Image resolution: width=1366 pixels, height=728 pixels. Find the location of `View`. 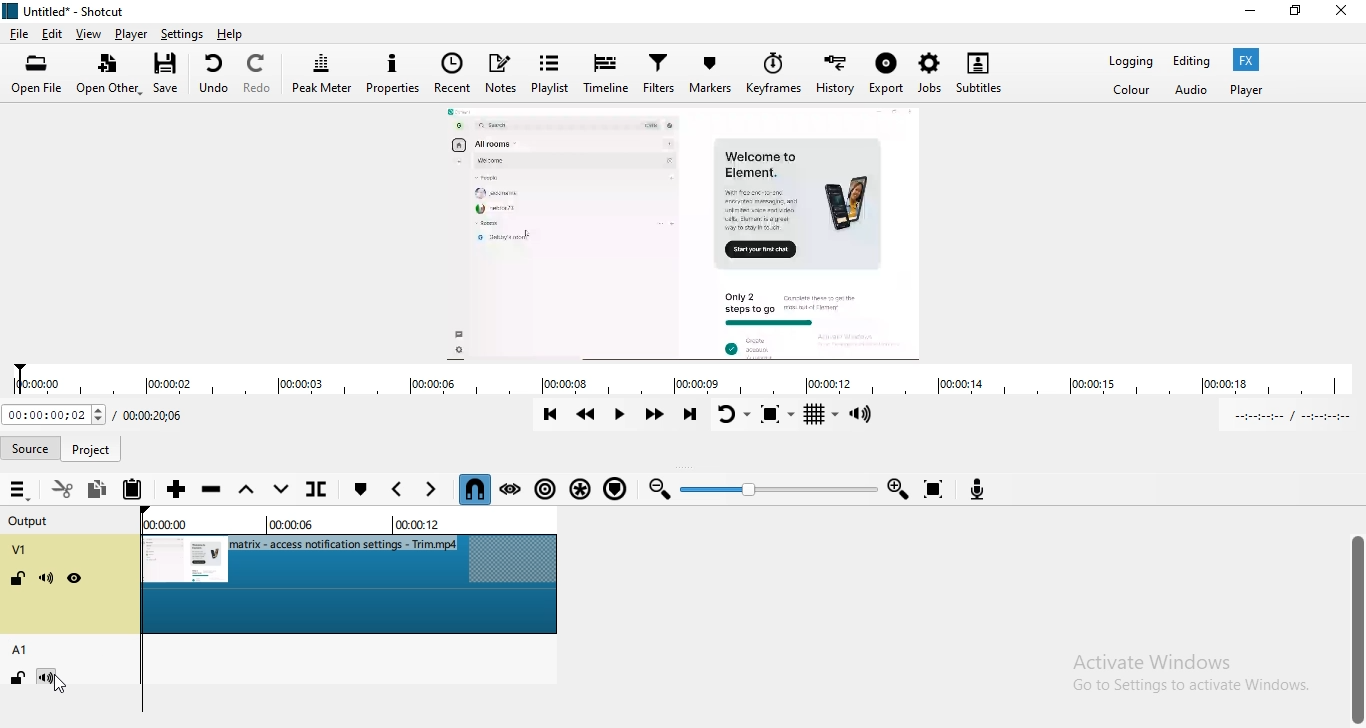

View is located at coordinates (90, 33).